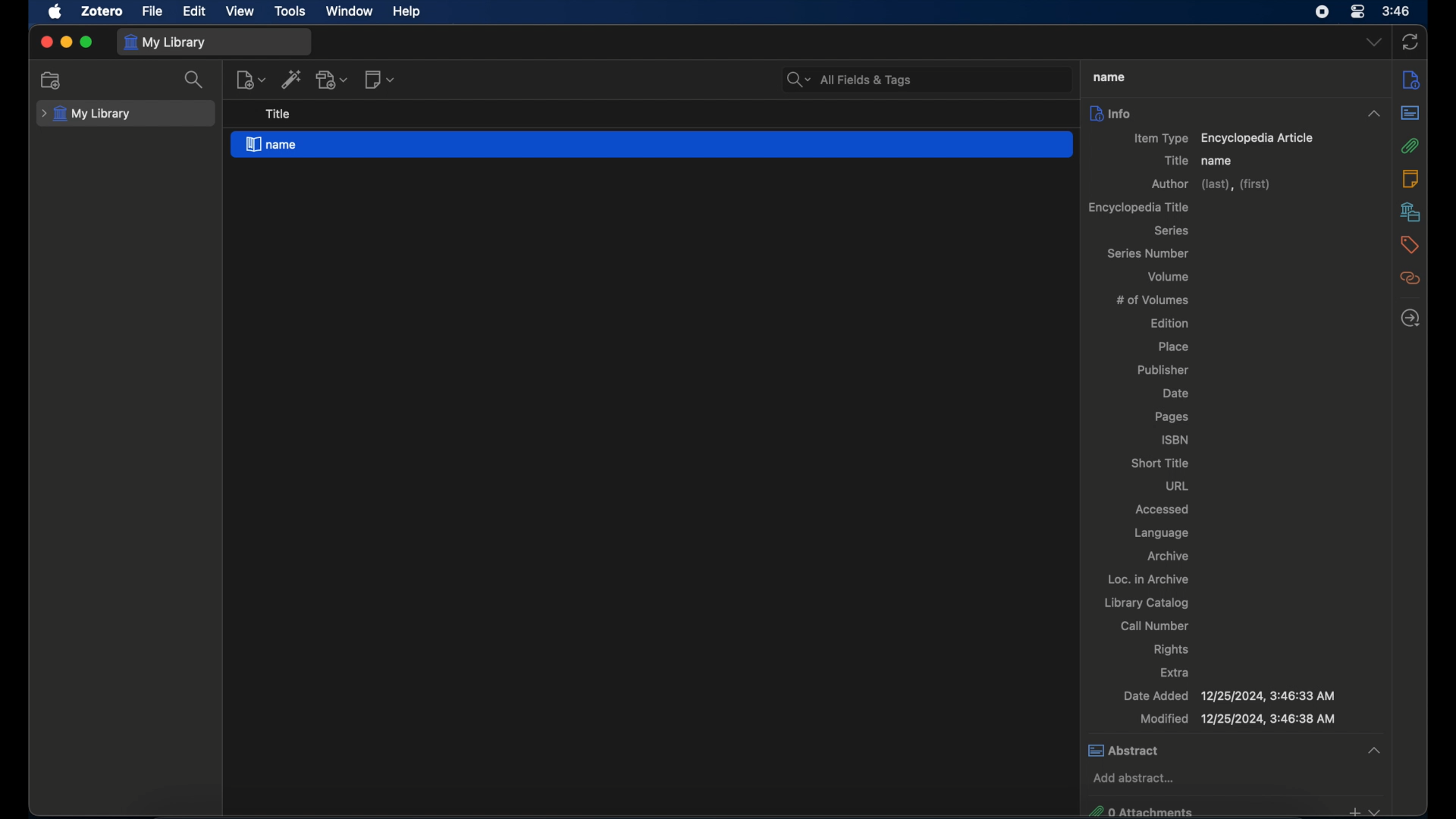 Image resolution: width=1456 pixels, height=819 pixels. Describe the element at coordinates (1175, 160) in the screenshot. I see `title` at that location.